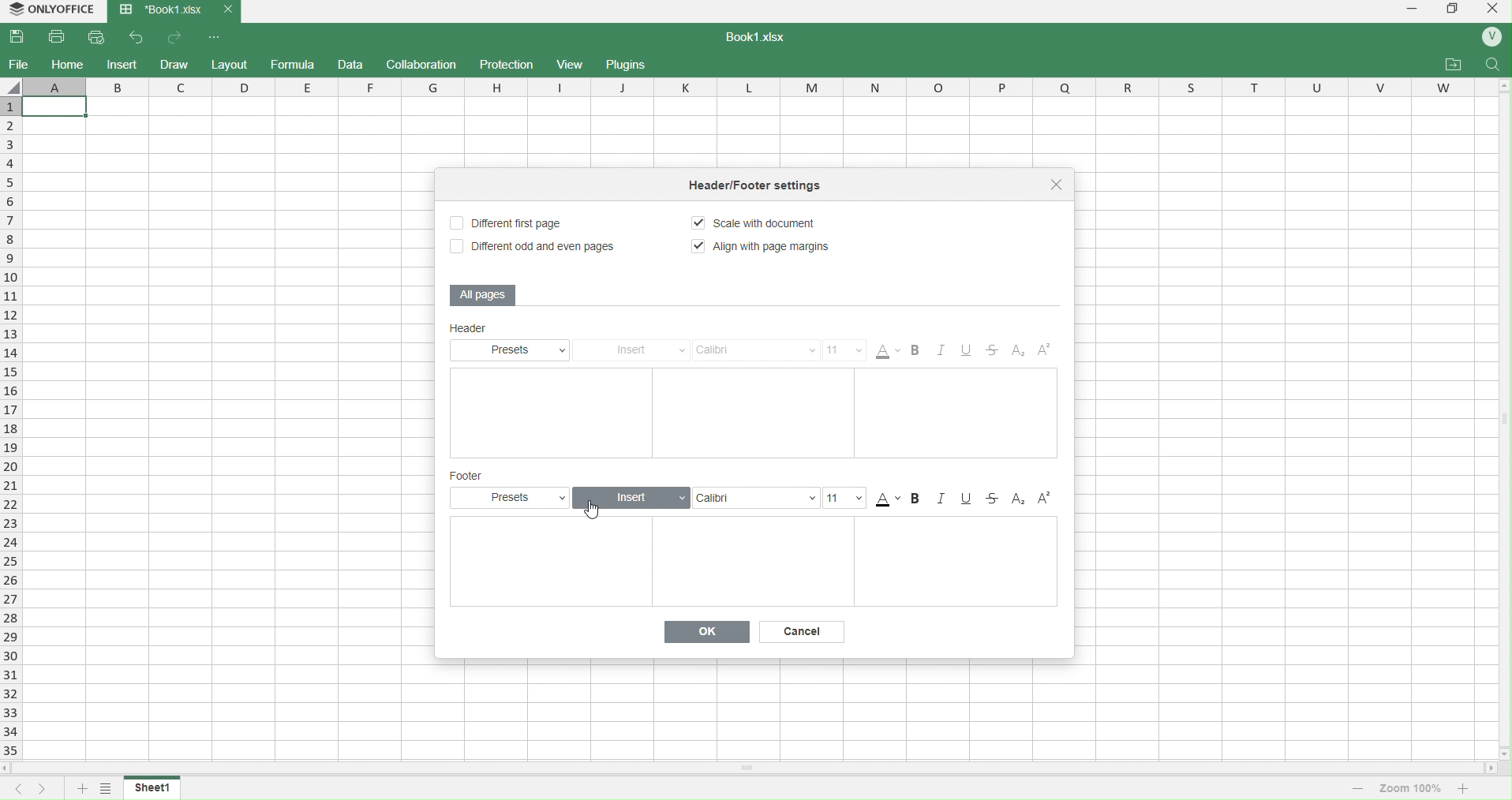  I want to click on book1.xlsx, so click(764, 39).